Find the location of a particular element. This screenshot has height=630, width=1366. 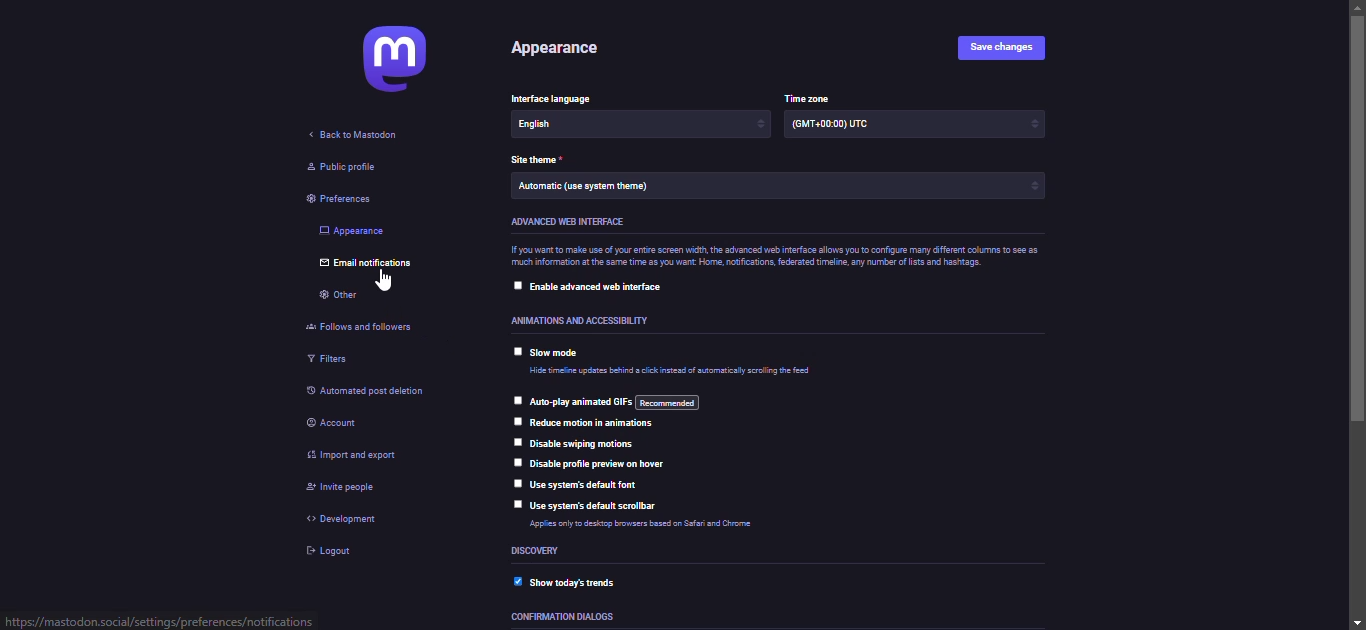

click to select is located at coordinates (517, 348).